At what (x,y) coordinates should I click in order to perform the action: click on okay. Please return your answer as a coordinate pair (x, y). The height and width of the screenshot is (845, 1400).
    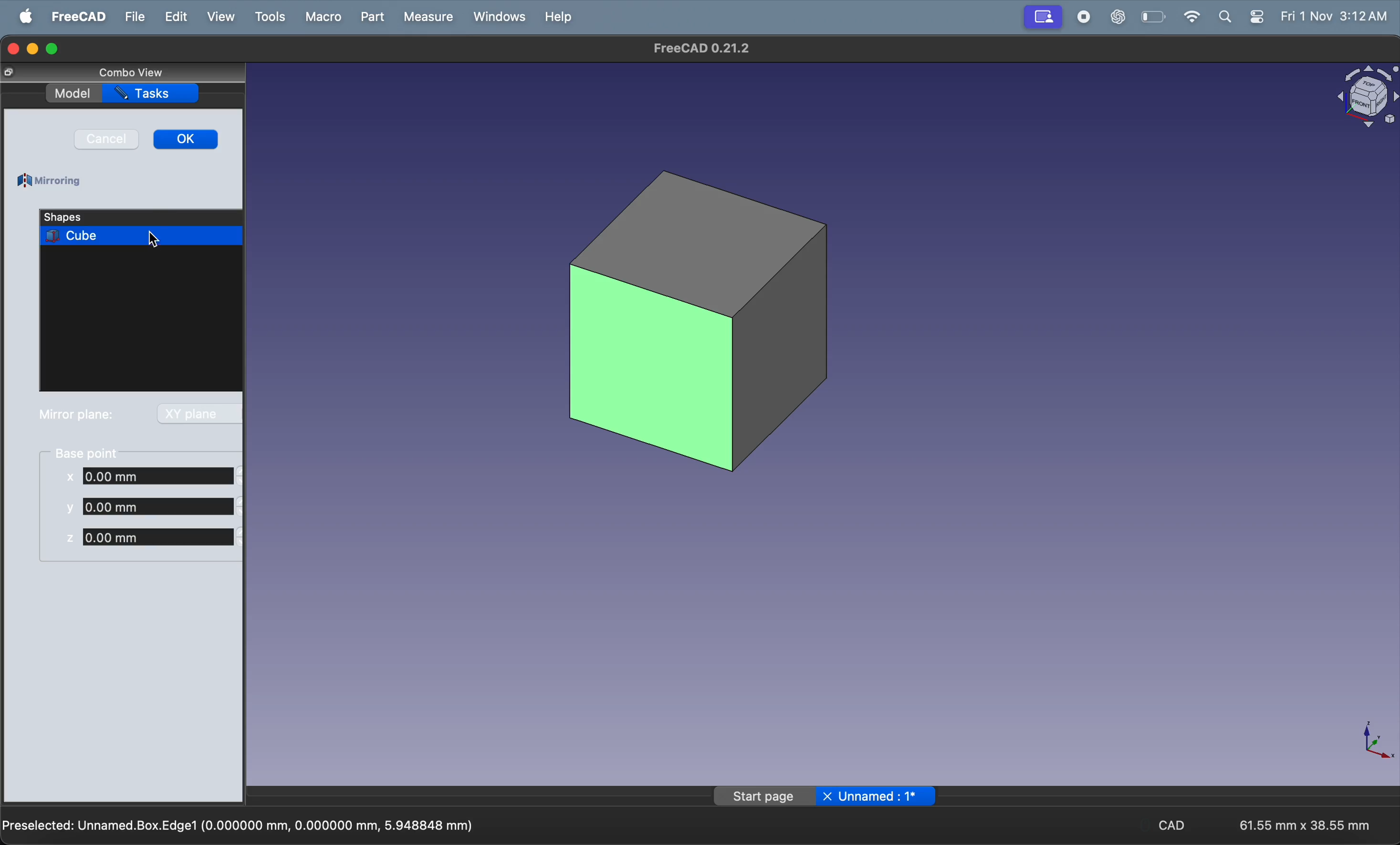
    Looking at the image, I should click on (187, 140).